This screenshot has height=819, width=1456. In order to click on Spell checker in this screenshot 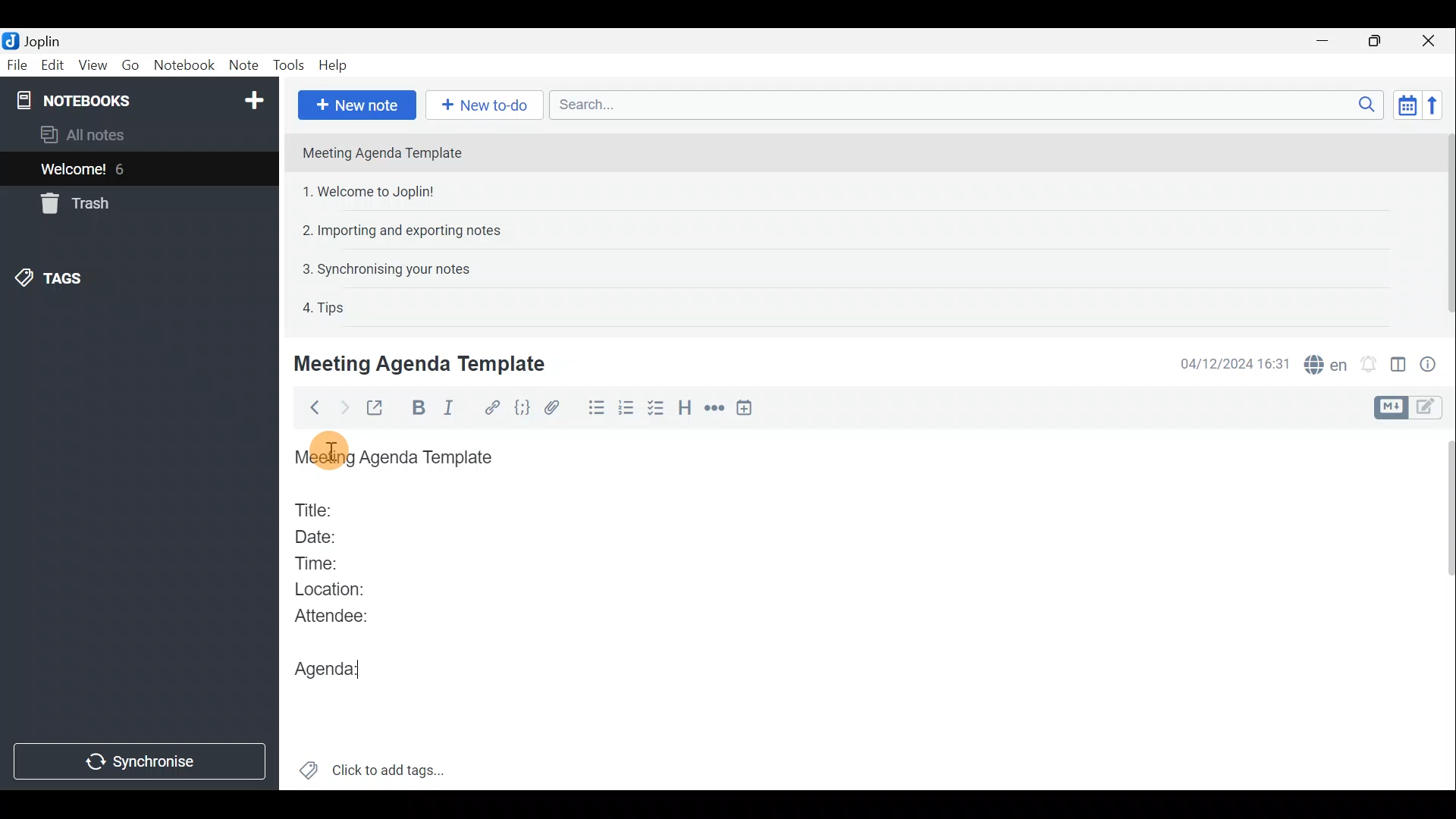, I will do `click(1327, 362)`.